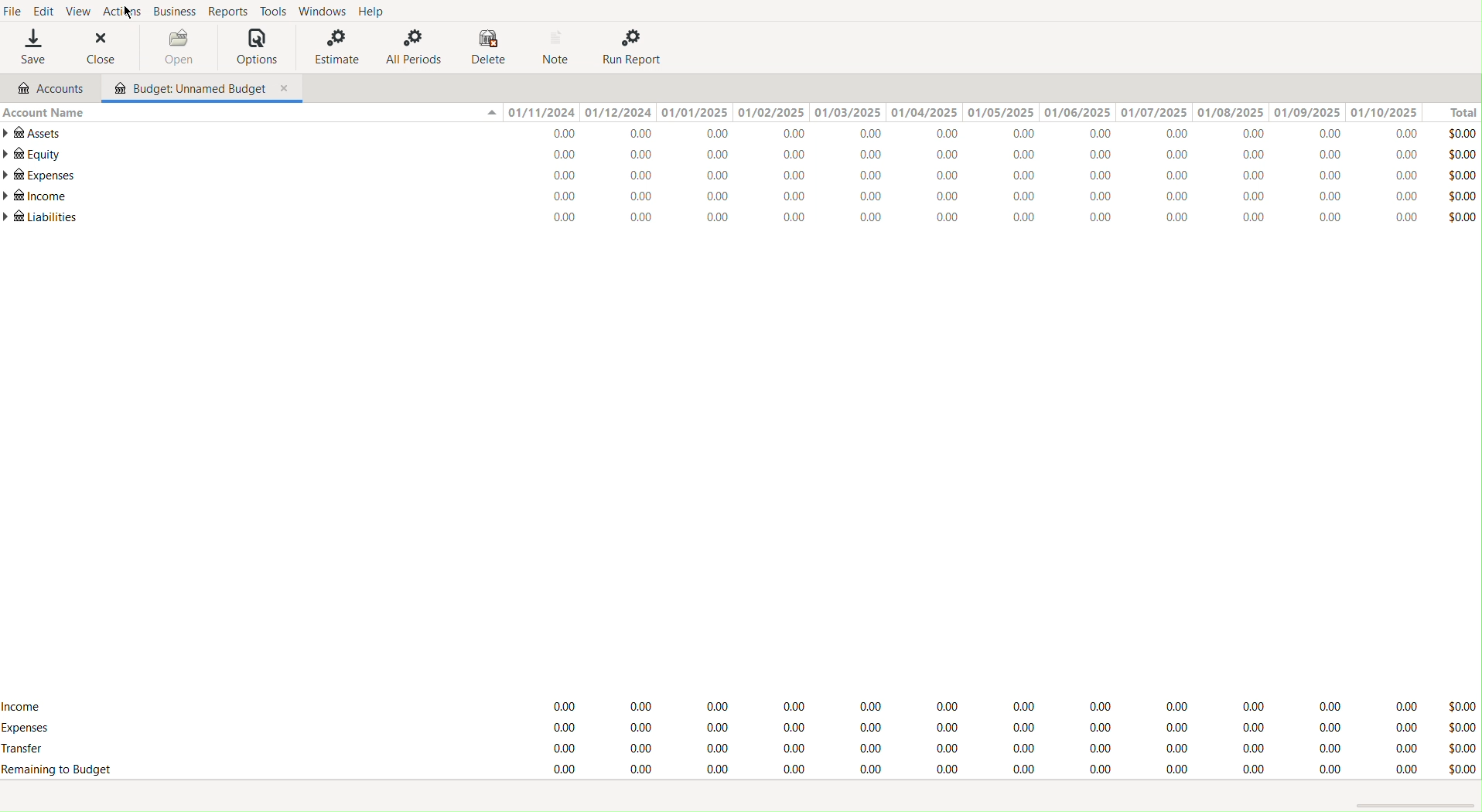 The width and height of the screenshot is (1482, 812). What do you see at coordinates (376, 11) in the screenshot?
I see `Help` at bounding box center [376, 11].